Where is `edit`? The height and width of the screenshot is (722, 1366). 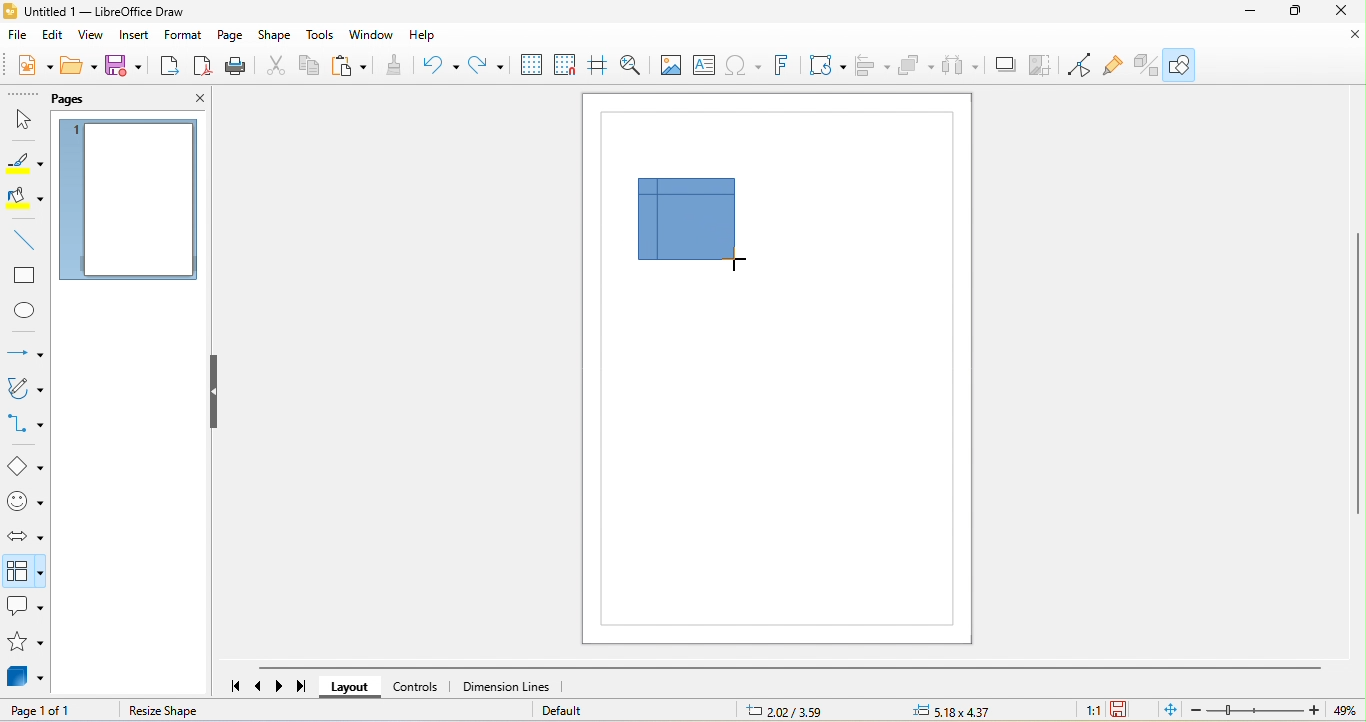 edit is located at coordinates (55, 36).